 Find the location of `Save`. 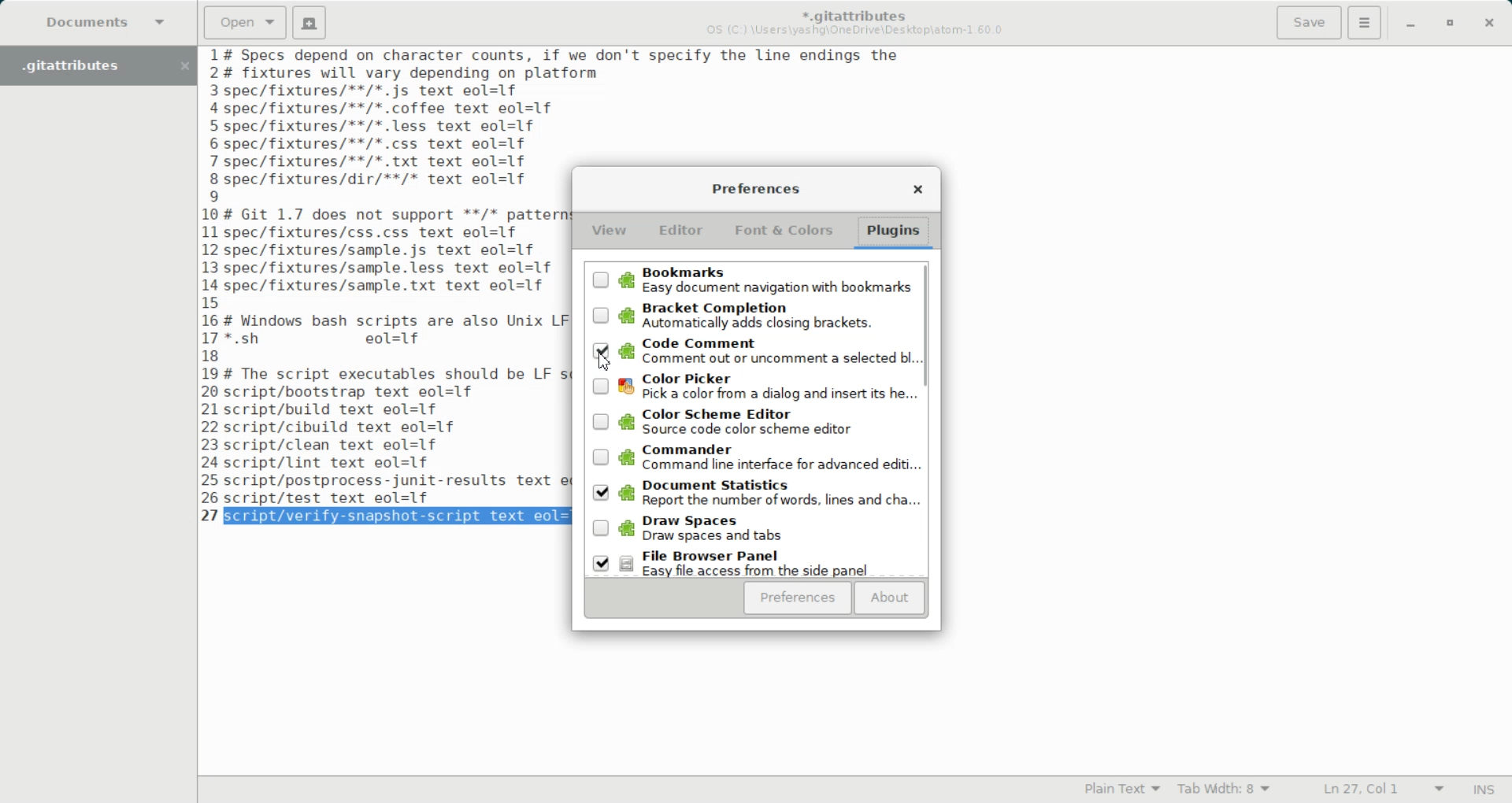

Save is located at coordinates (1308, 23).